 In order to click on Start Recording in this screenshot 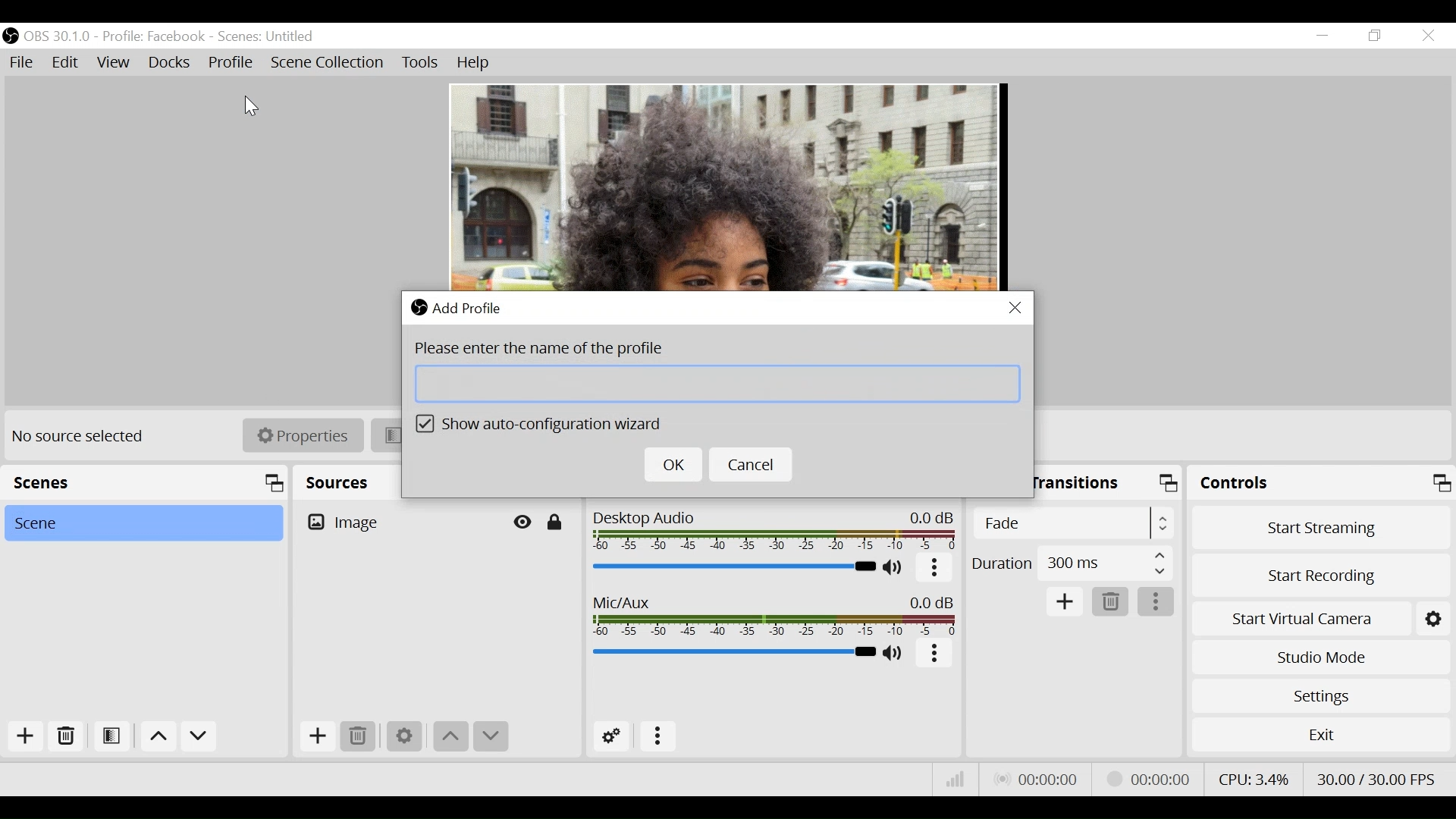, I will do `click(1320, 574)`.